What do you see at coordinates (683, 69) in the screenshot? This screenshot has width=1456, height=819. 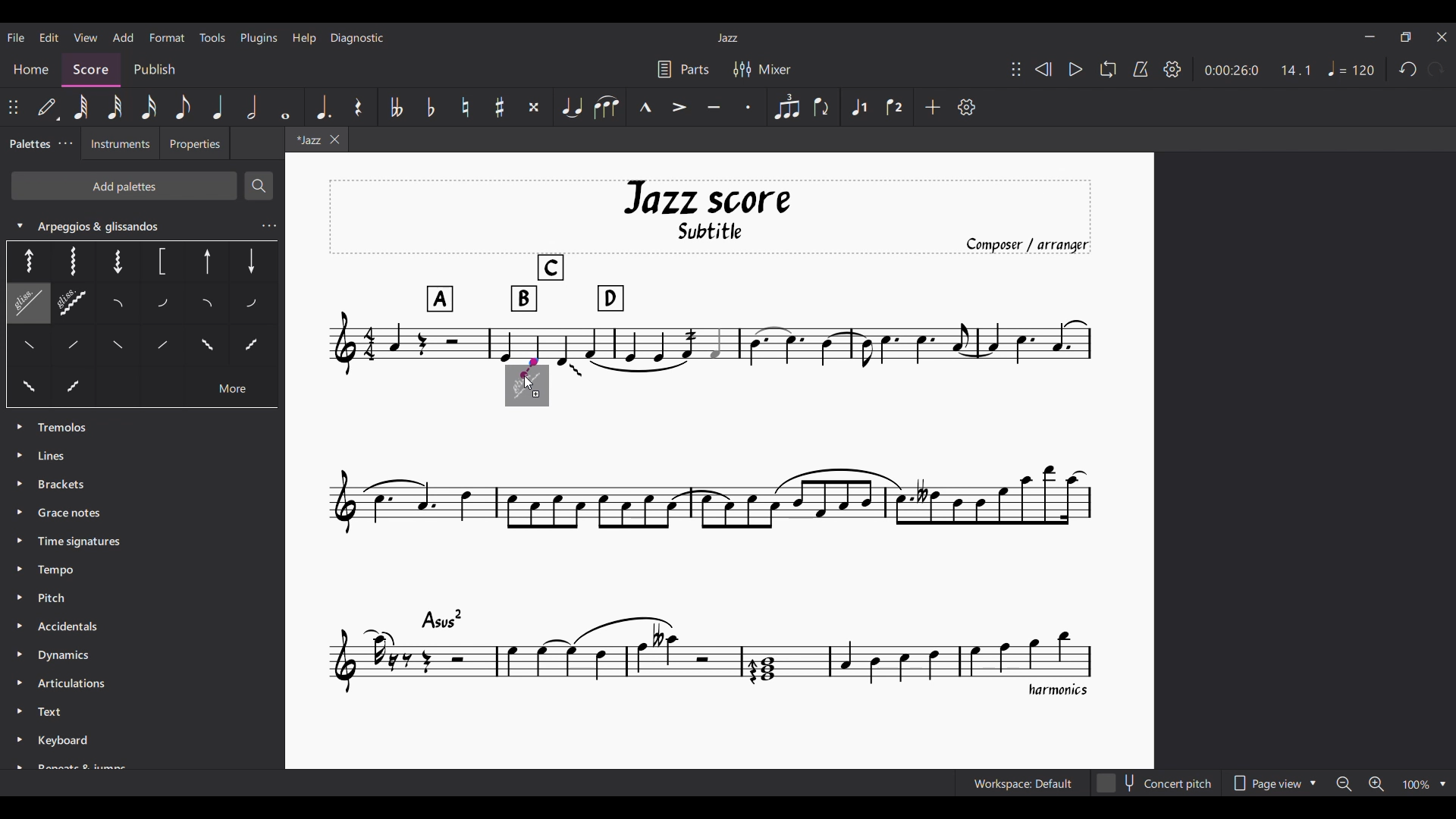 I see `Parts settings` at bounding box center [683, 69].